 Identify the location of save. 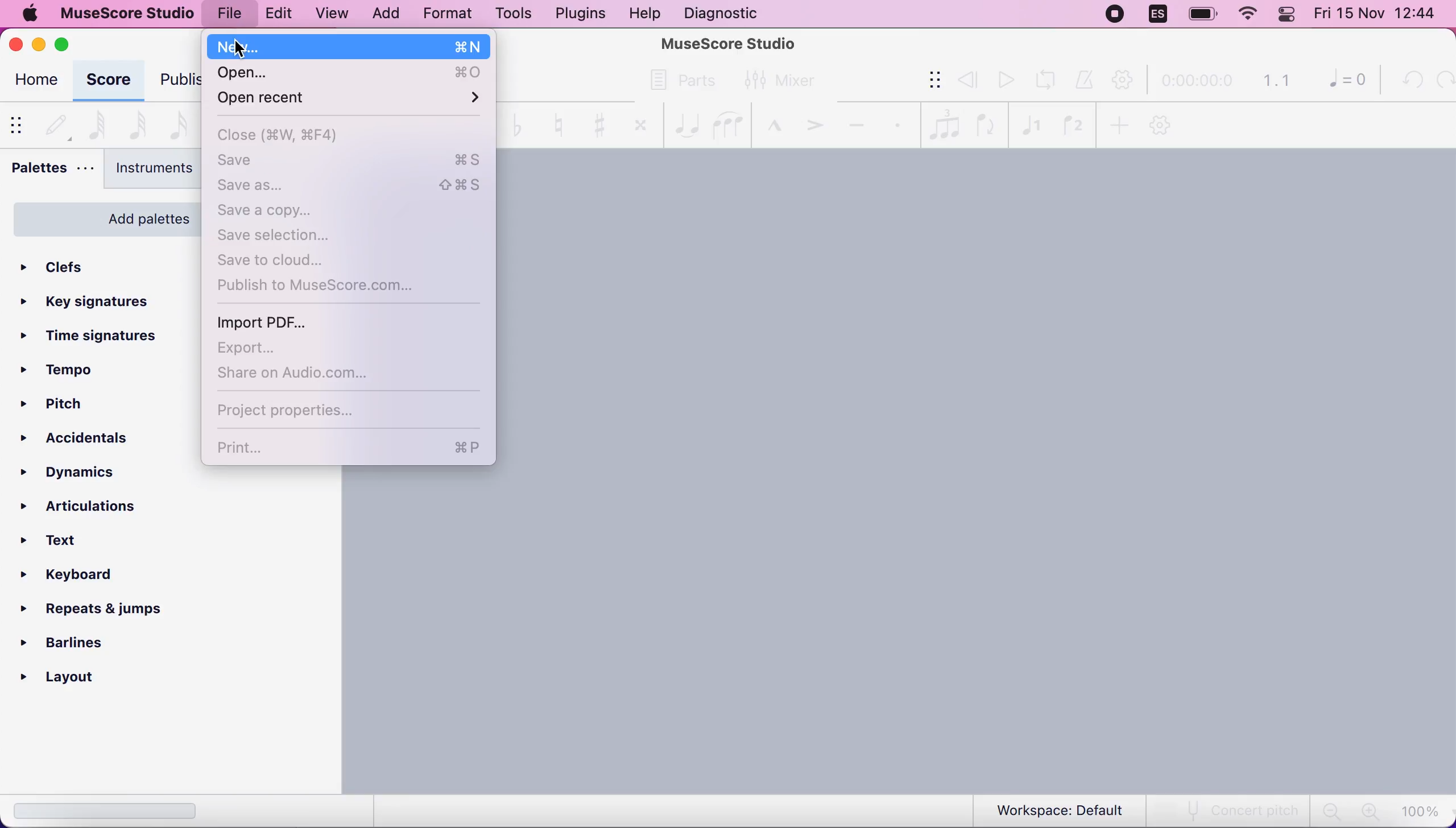
(351, 163).